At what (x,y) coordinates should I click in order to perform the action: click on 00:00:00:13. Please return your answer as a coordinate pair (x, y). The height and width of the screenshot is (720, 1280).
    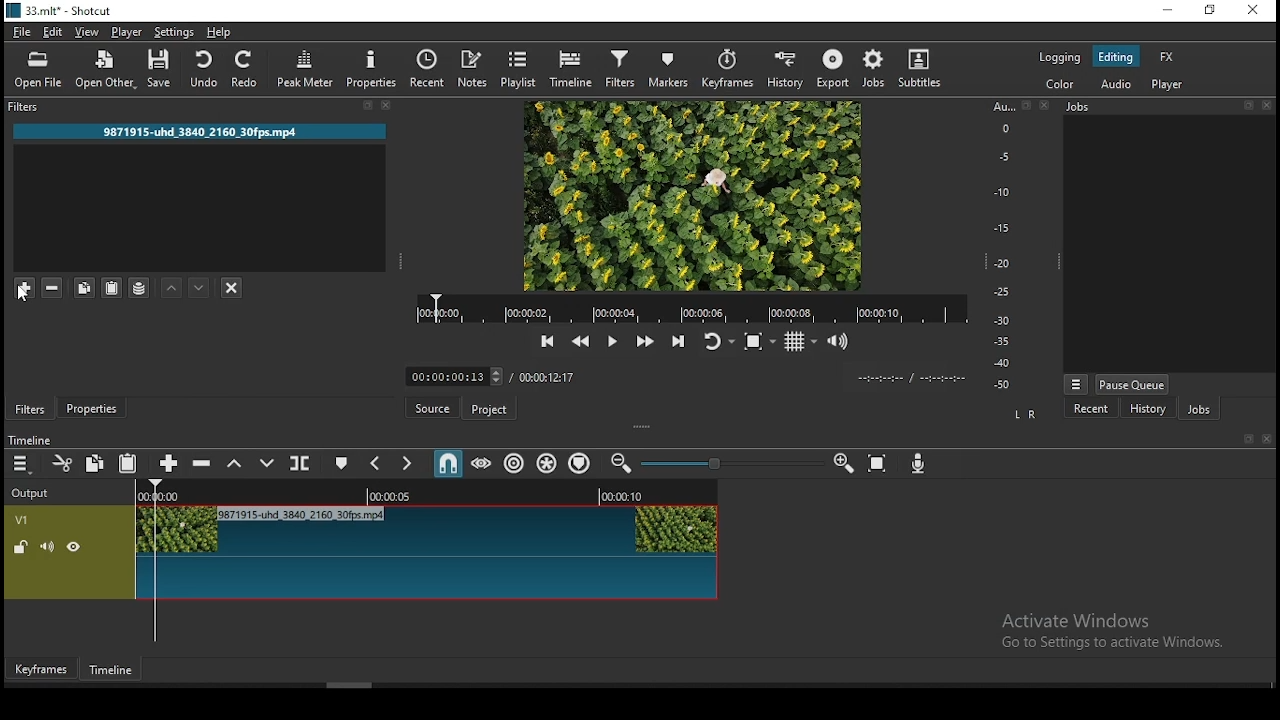
    Looking at the image, I should click on (447, 375).